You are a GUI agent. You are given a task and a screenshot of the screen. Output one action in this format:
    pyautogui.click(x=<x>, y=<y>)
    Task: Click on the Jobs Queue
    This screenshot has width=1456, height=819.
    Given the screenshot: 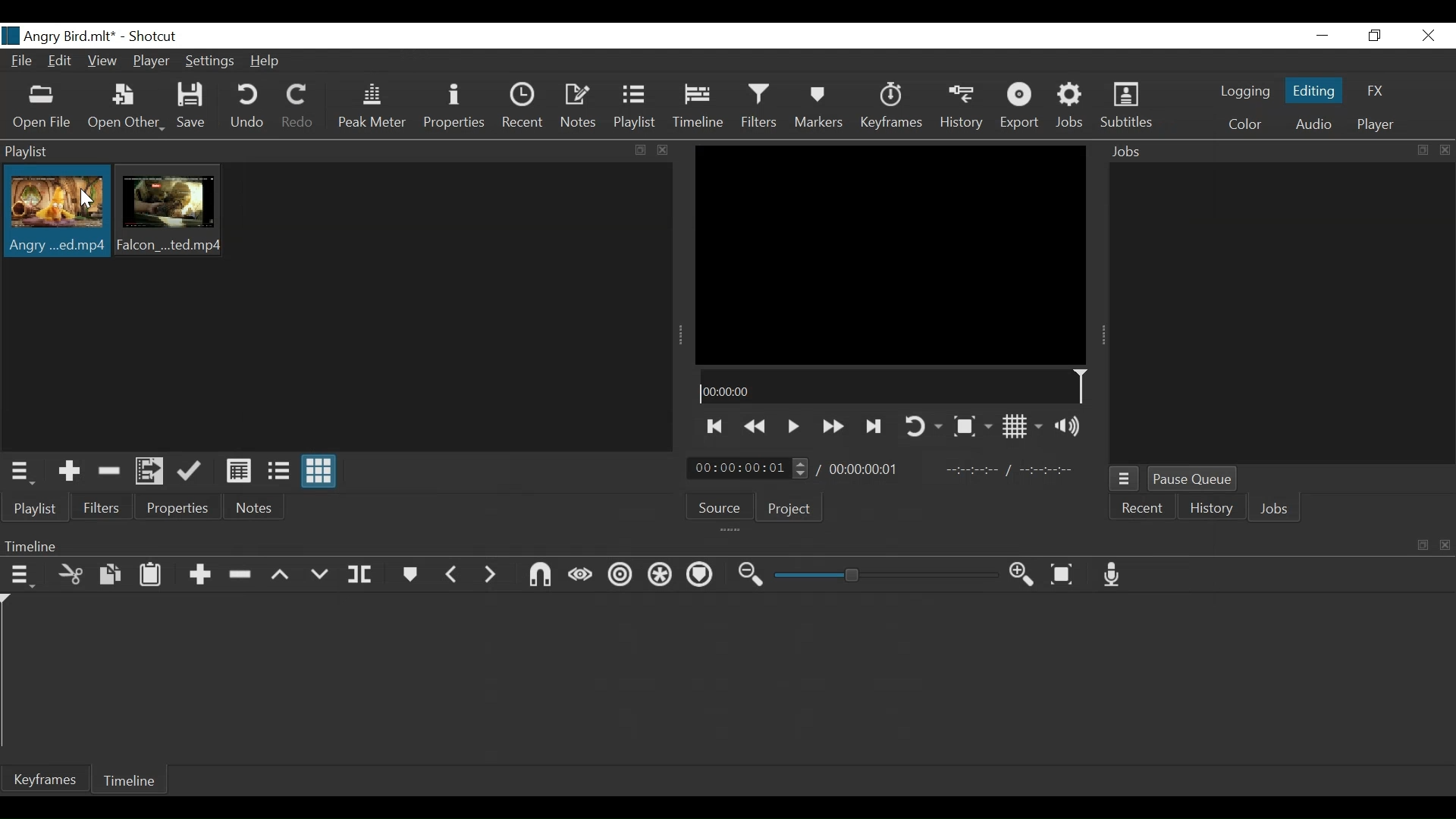 What is the action you would take?
    pyautogui.click(x=1125, y=479)
    